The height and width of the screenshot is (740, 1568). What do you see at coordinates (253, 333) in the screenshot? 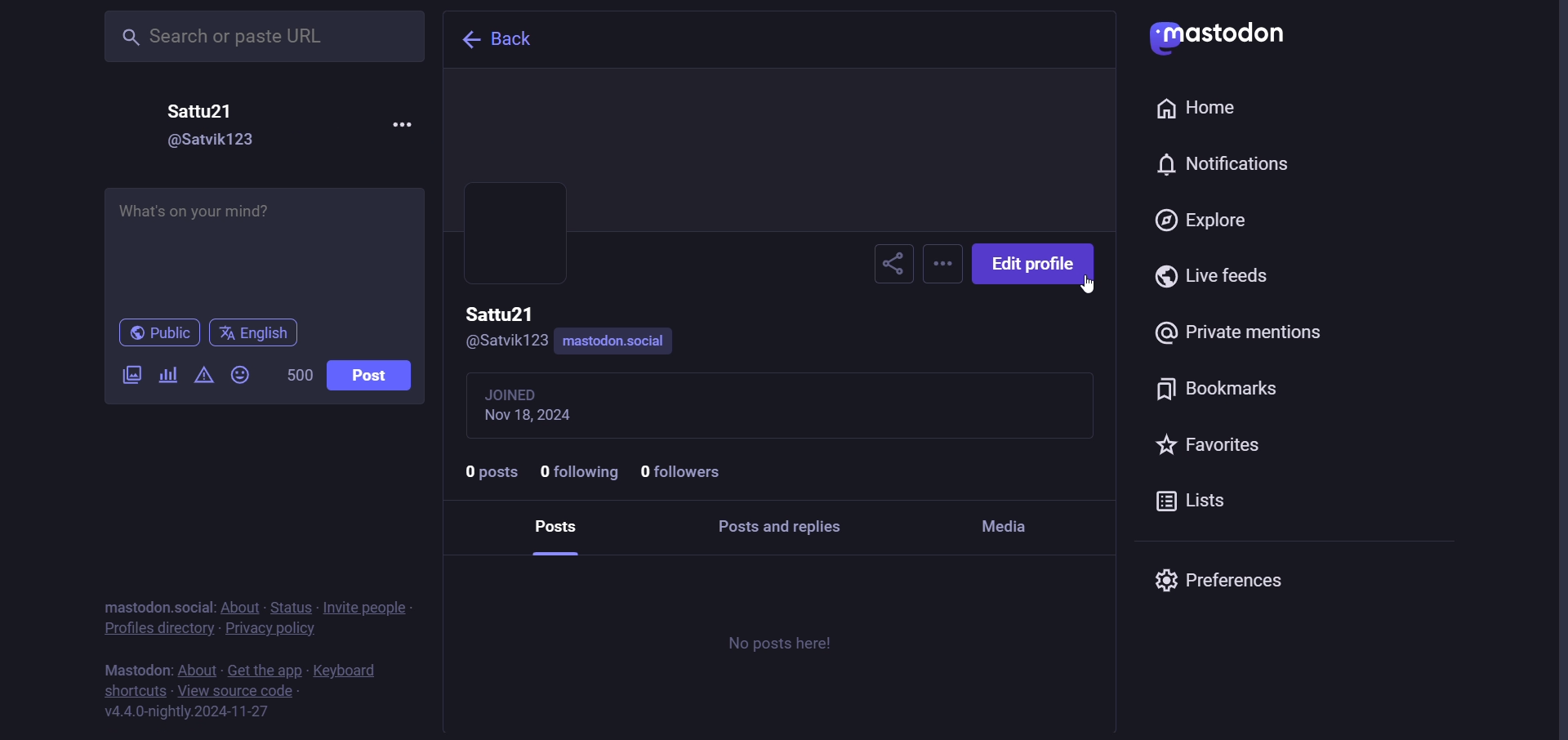
I see `english` at bounding box center [253, 333].